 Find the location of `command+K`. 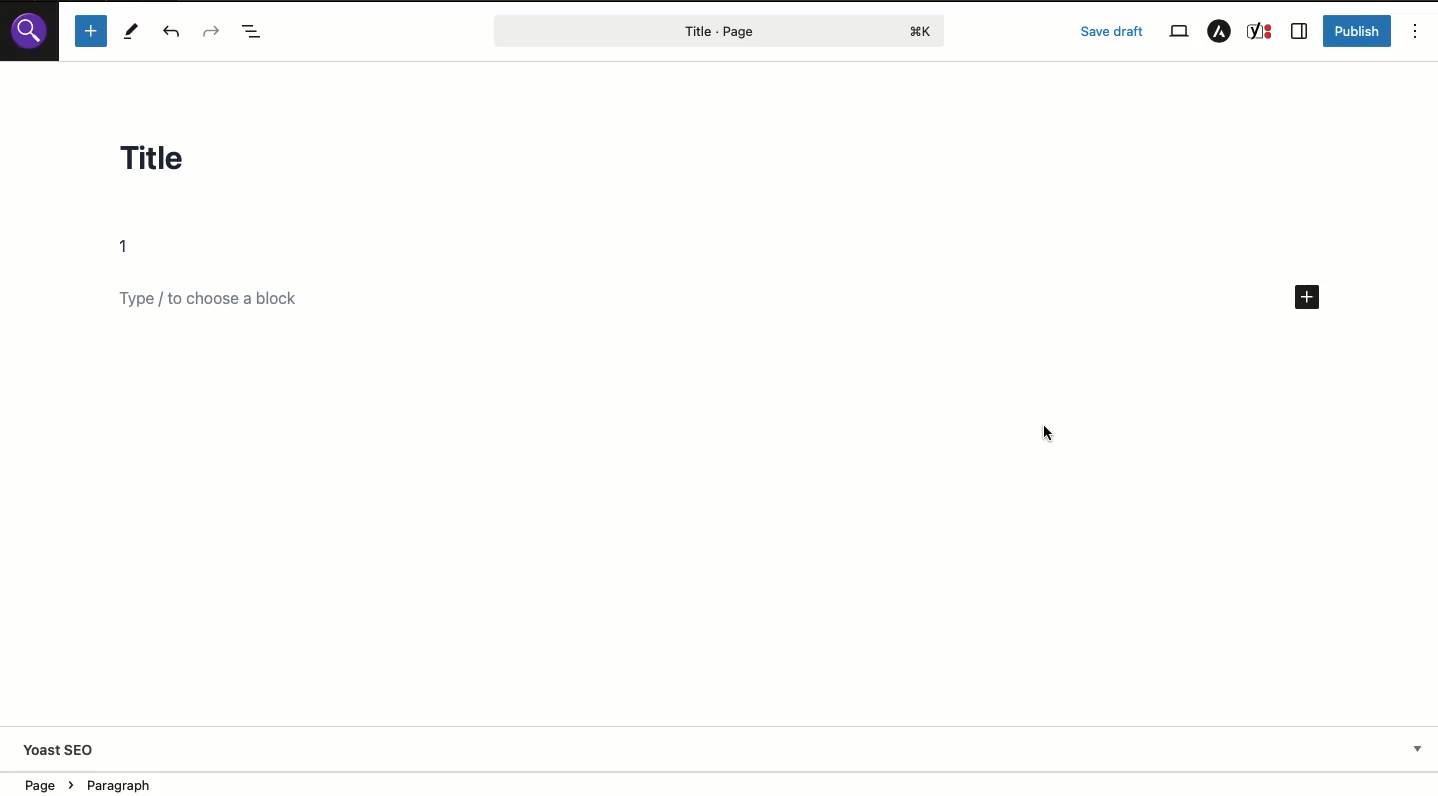

command+K is located at coordinates (922, 32).